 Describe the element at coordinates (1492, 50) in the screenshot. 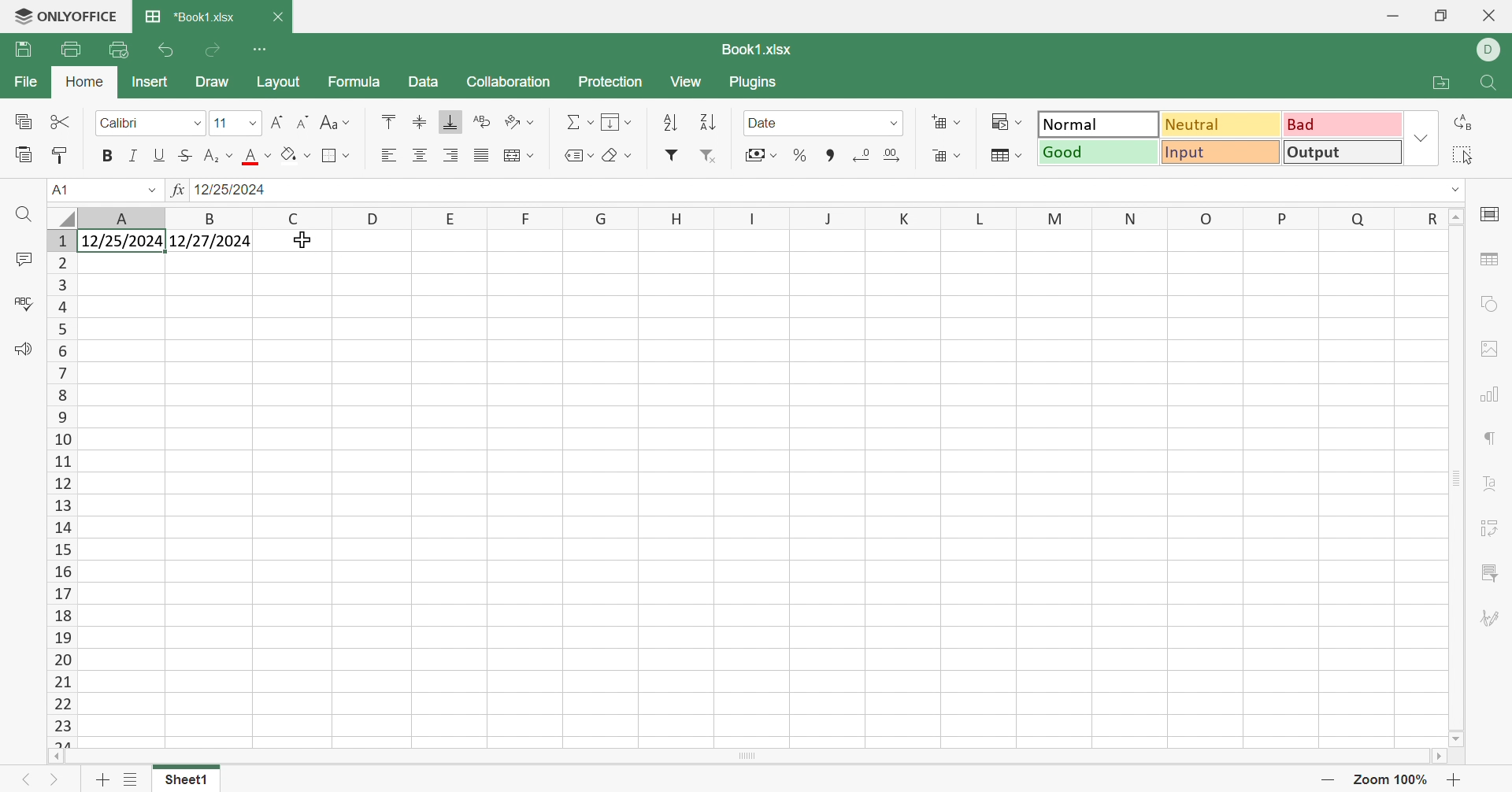

I see `DELL` at that location.